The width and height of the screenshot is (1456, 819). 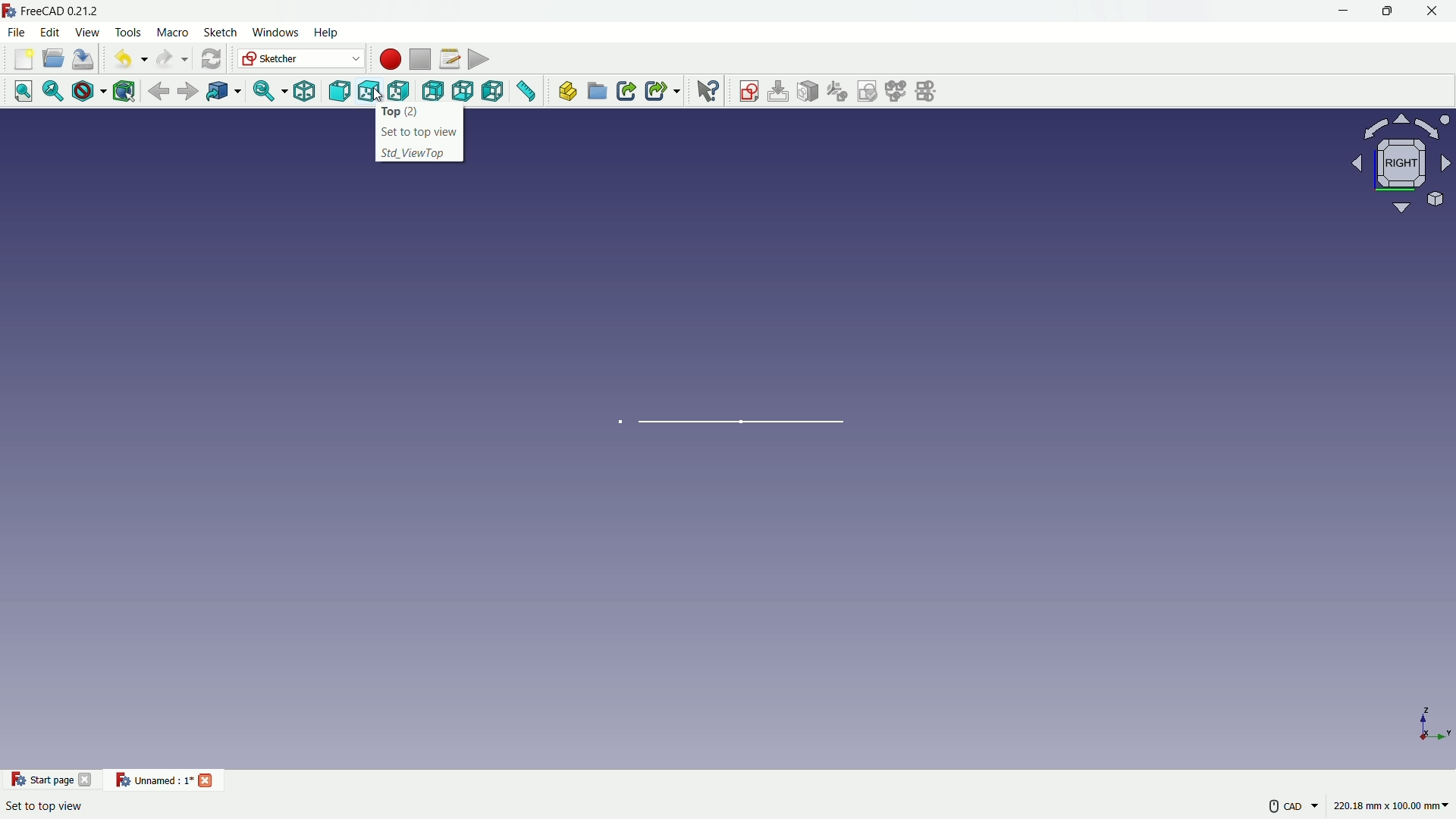 What do you see at coordinates (125, 91) in the screenshot?
I see `bounding box` at bounding box center [125, 91].